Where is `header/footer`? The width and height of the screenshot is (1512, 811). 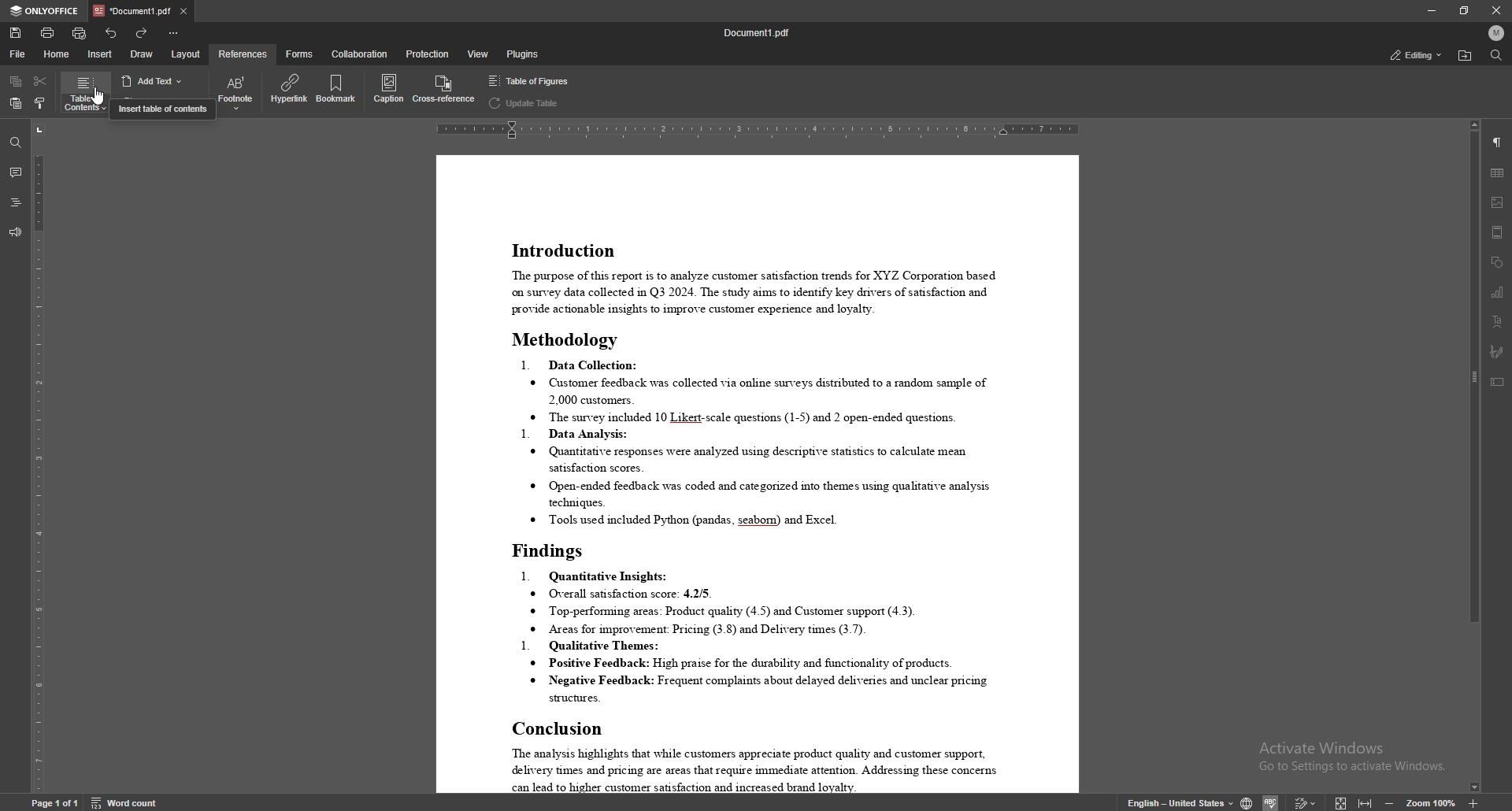 header/footer is located at coordinates (1499, 232).